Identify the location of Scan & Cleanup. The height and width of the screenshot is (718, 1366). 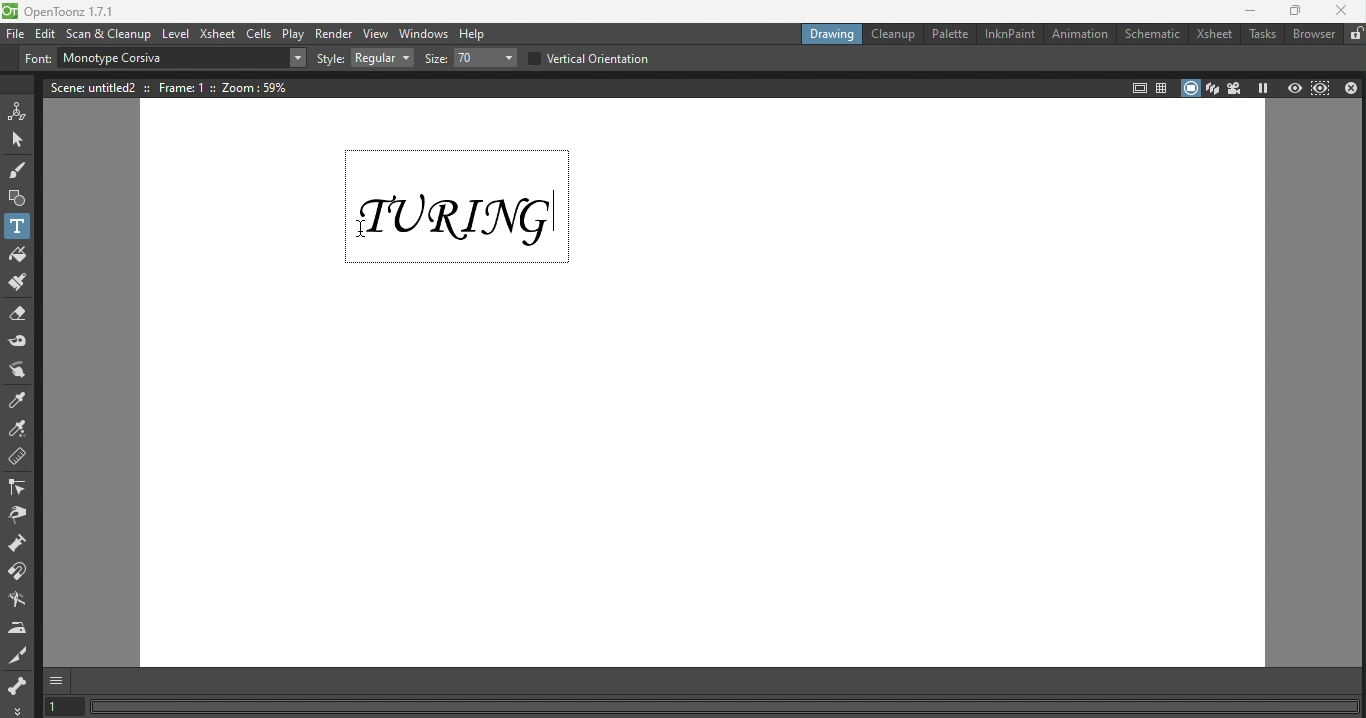
(110, 33).